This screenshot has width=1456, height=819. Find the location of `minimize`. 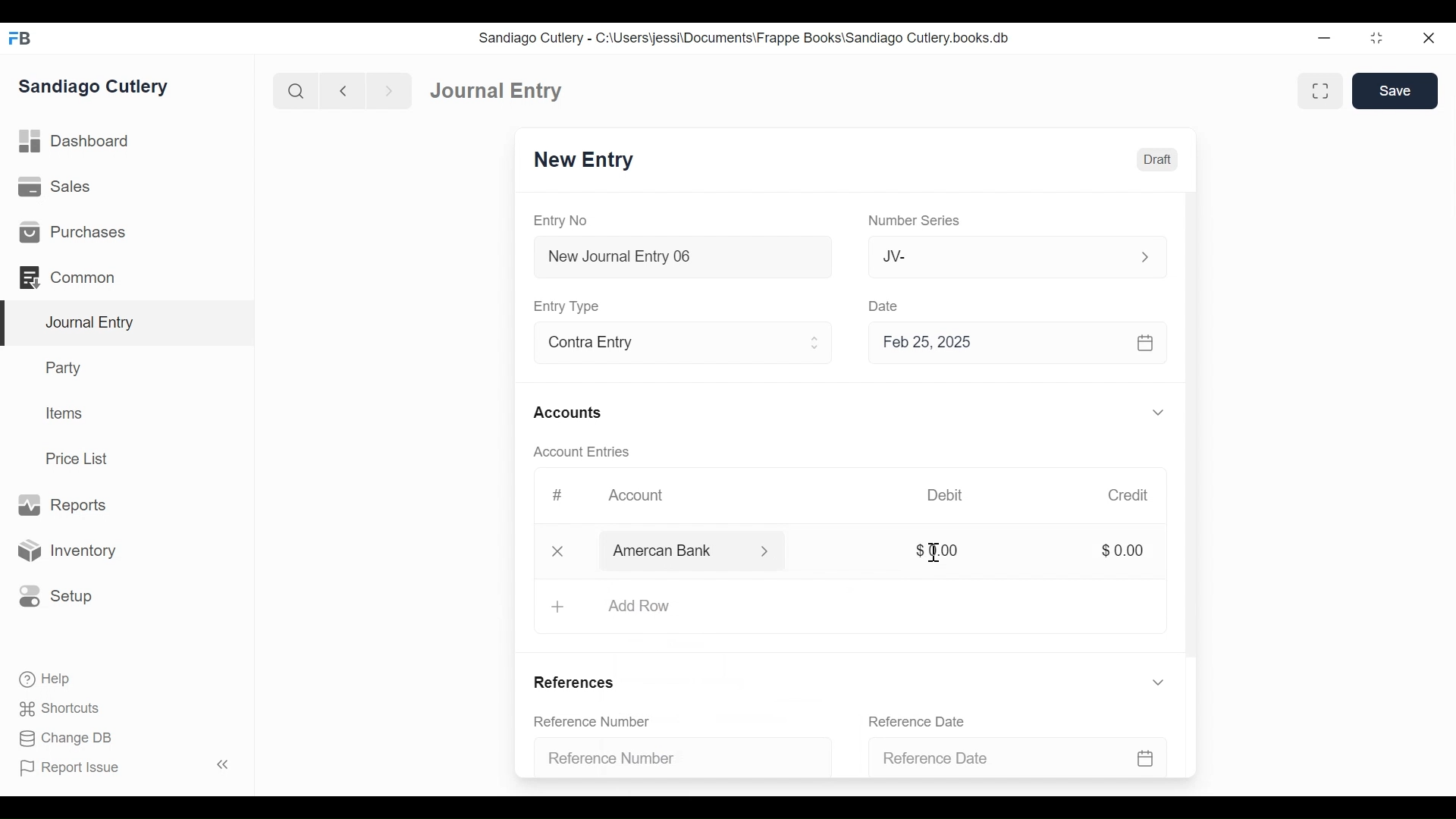

minimize is located at coordinates (1325, 37).